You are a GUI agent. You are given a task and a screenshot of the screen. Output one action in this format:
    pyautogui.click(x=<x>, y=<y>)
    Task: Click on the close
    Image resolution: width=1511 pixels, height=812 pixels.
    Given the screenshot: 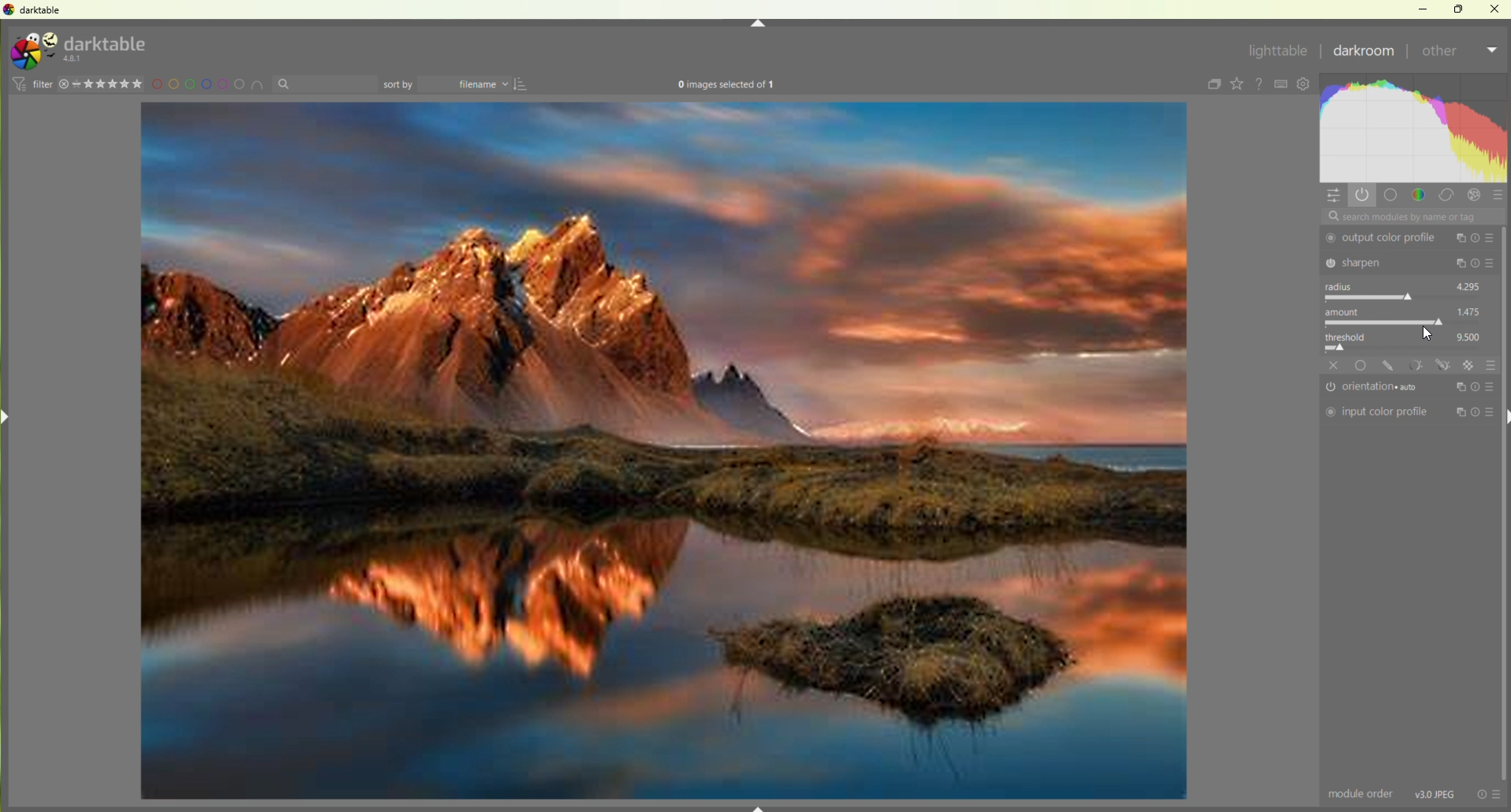 What is the action you would take?
    pyautogui.click(x=1334, y=365)
    